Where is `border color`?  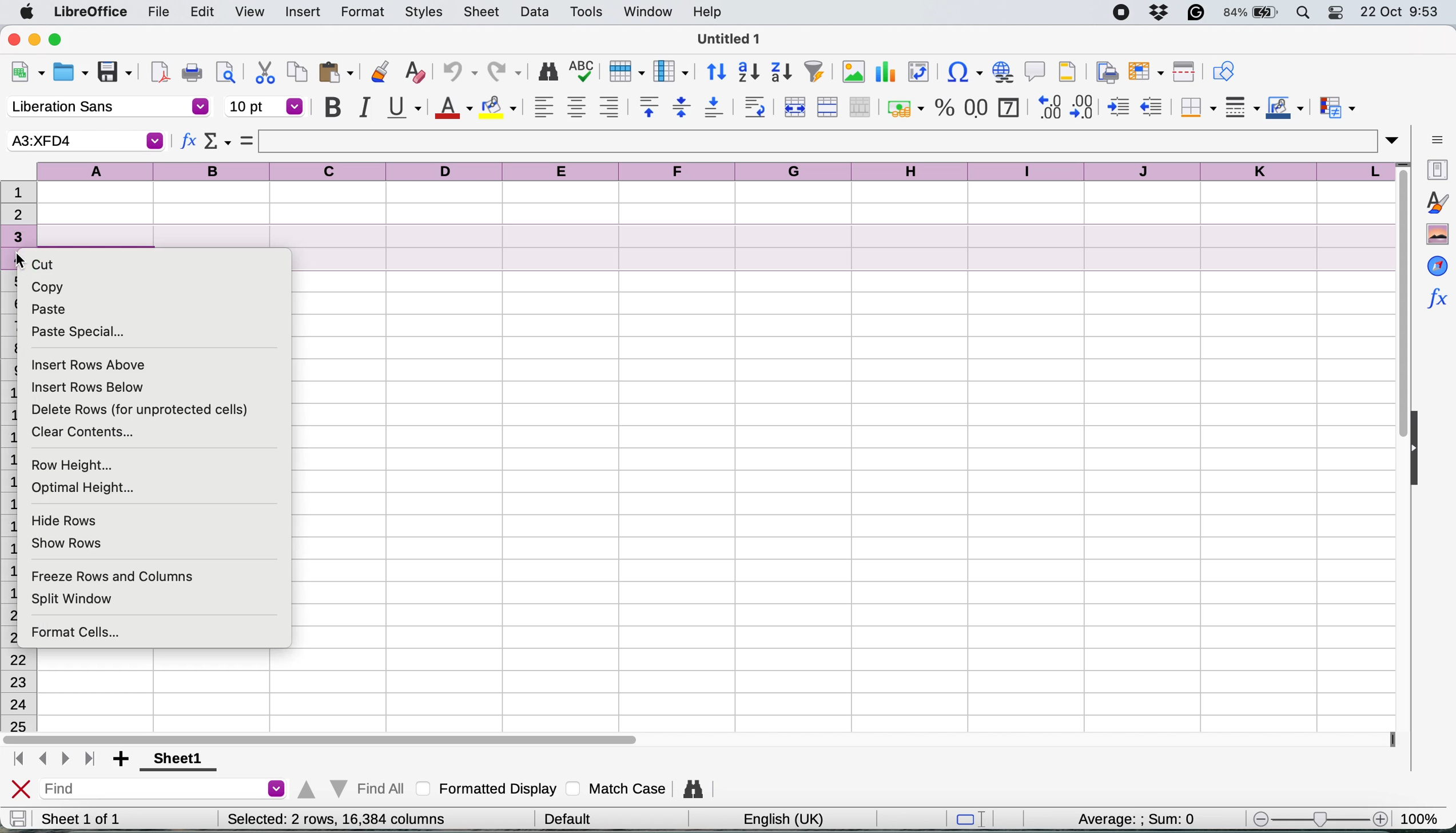
border color is located at coordinates (1285, 109).